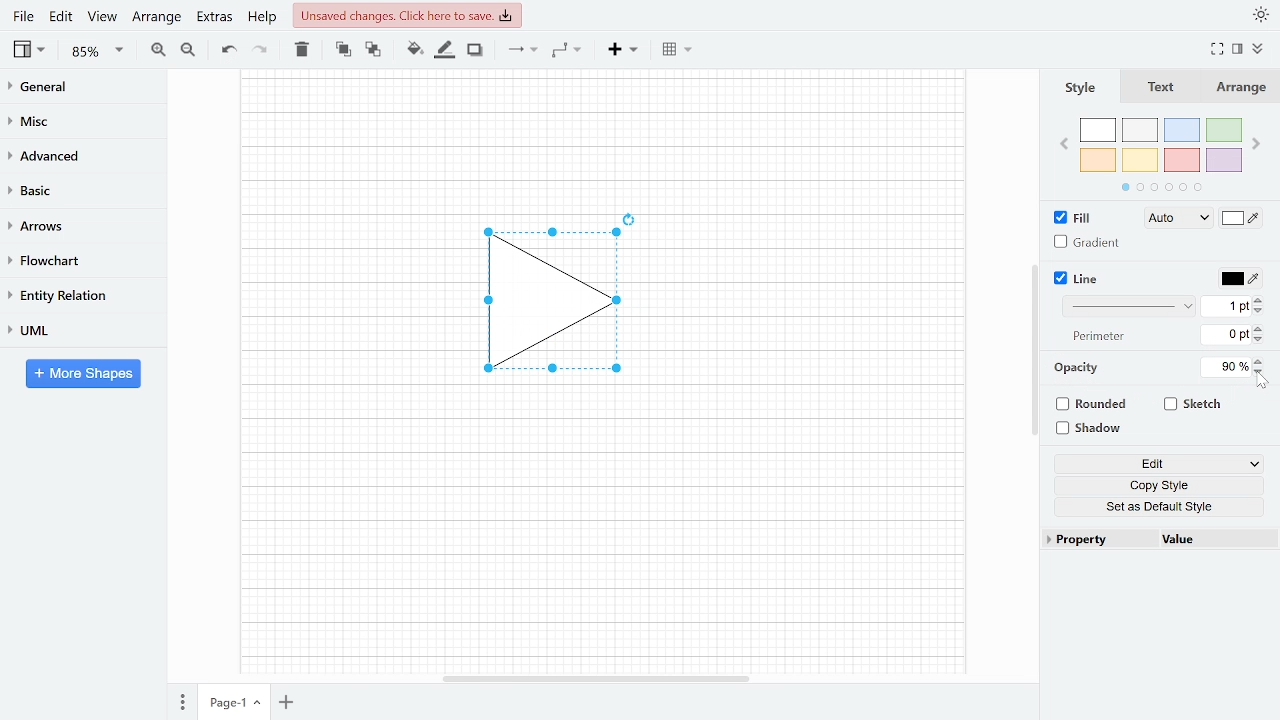 The image size is (1280, 720). Describe the element at coordinates (62, 16) in the screenshot. I see `Edit` at that location.